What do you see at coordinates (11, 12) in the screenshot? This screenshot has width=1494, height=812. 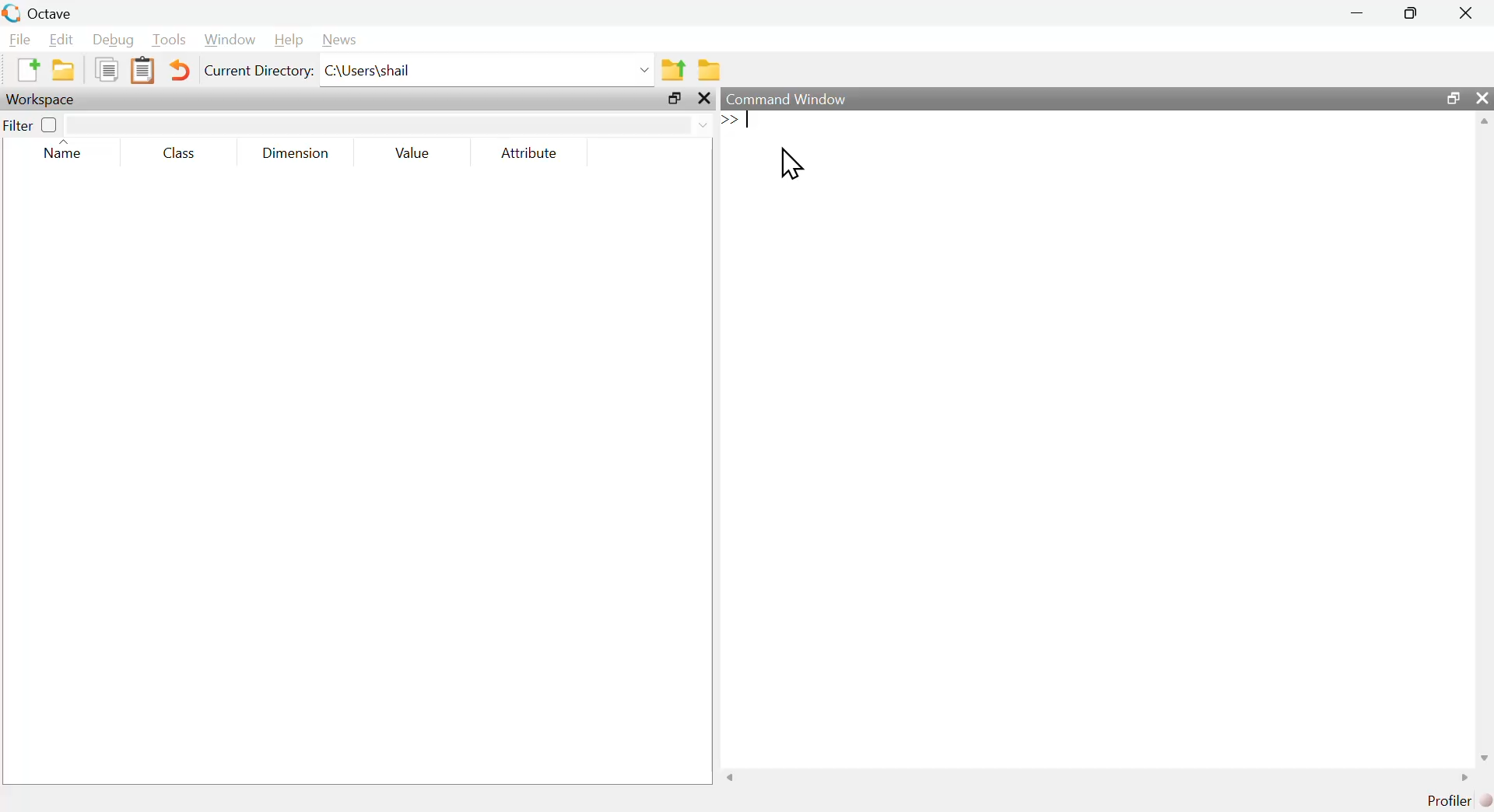 I see `octave logo` at bounding box center [11, 12].